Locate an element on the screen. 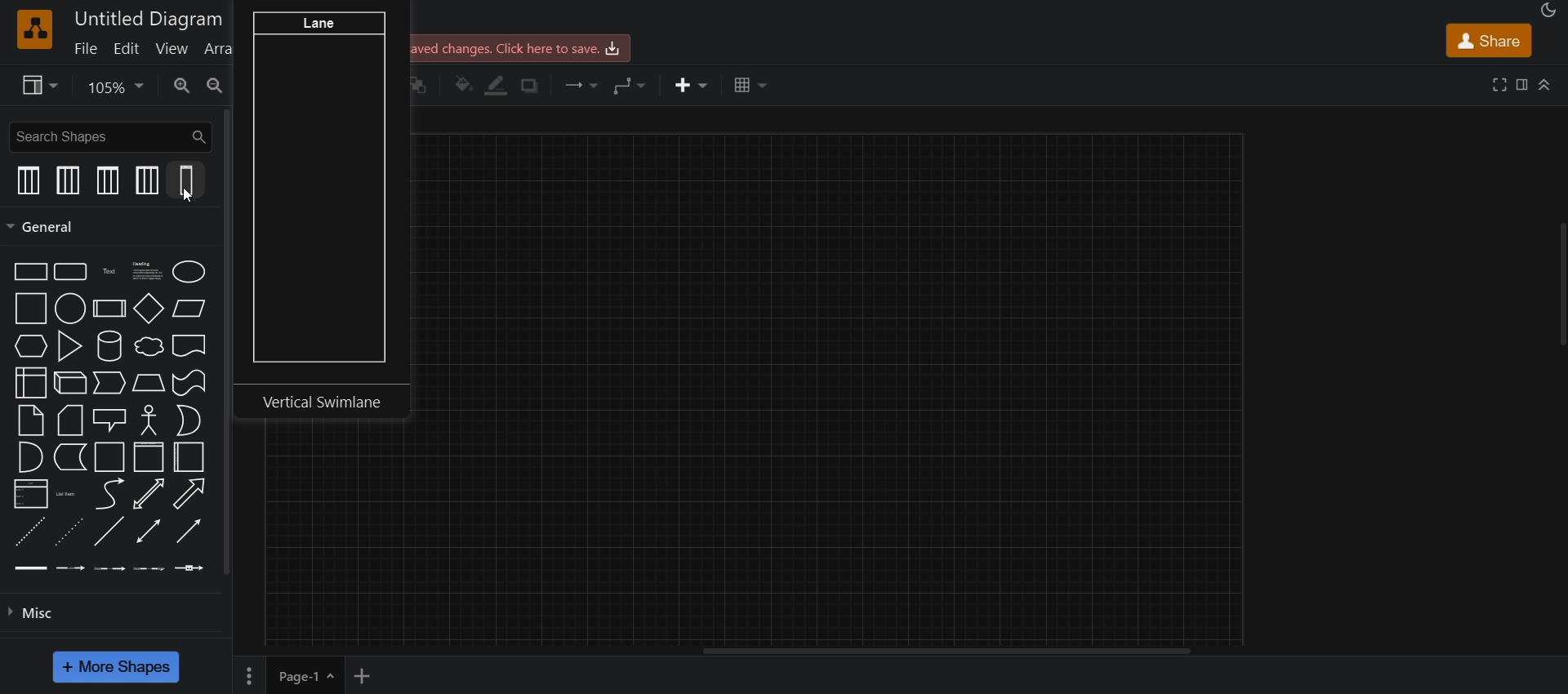 Image resolution: width=1568 pixels, height=694 pixels. vertical swimlance is located at coordinates (323, 209).